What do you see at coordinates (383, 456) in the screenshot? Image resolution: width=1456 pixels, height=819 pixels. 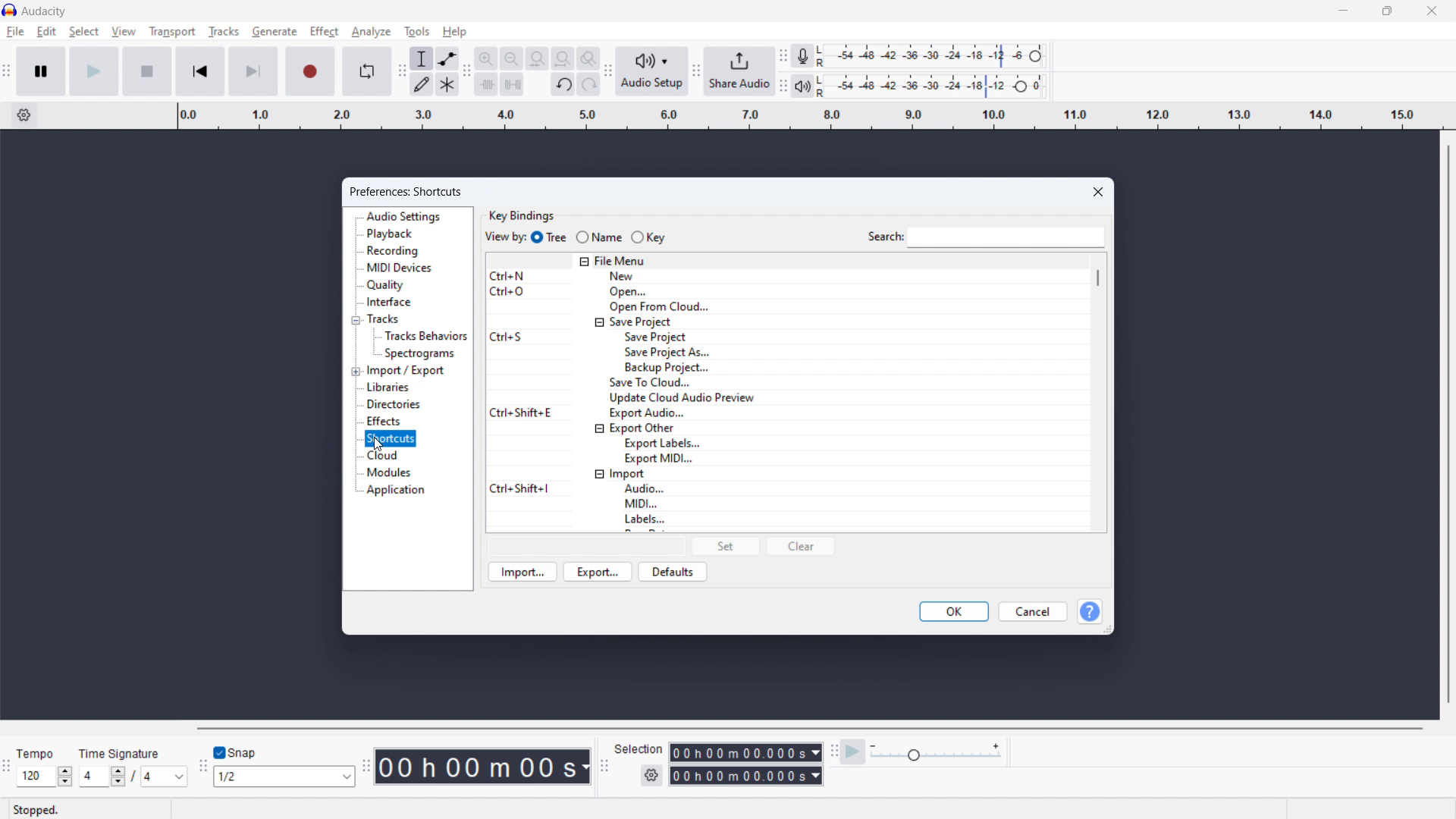 I see `cloud` at bounding box center [383, 456].